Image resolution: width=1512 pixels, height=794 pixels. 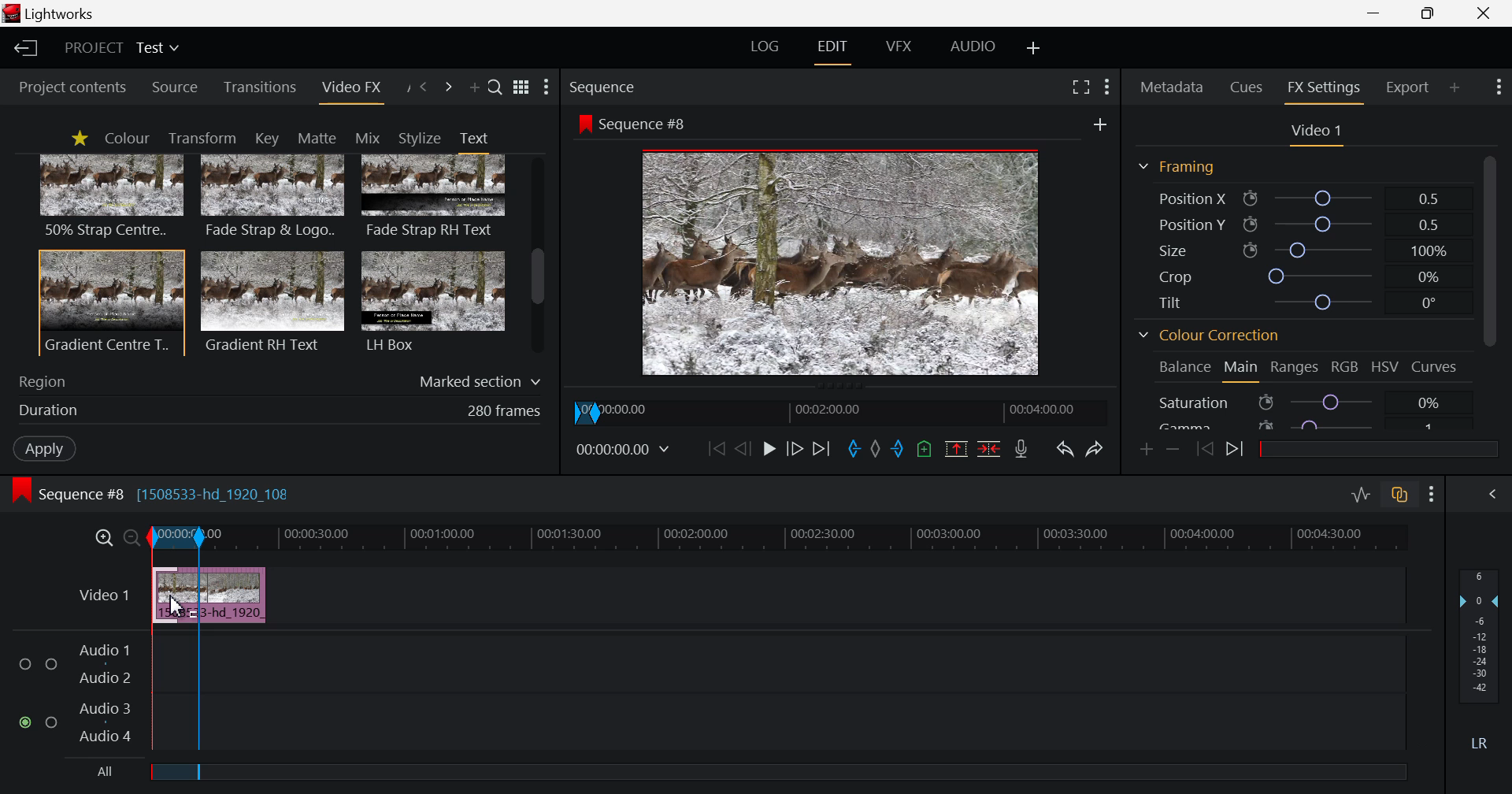 I want to click on Project Timeline Navigator, so click(x=845, y=409).